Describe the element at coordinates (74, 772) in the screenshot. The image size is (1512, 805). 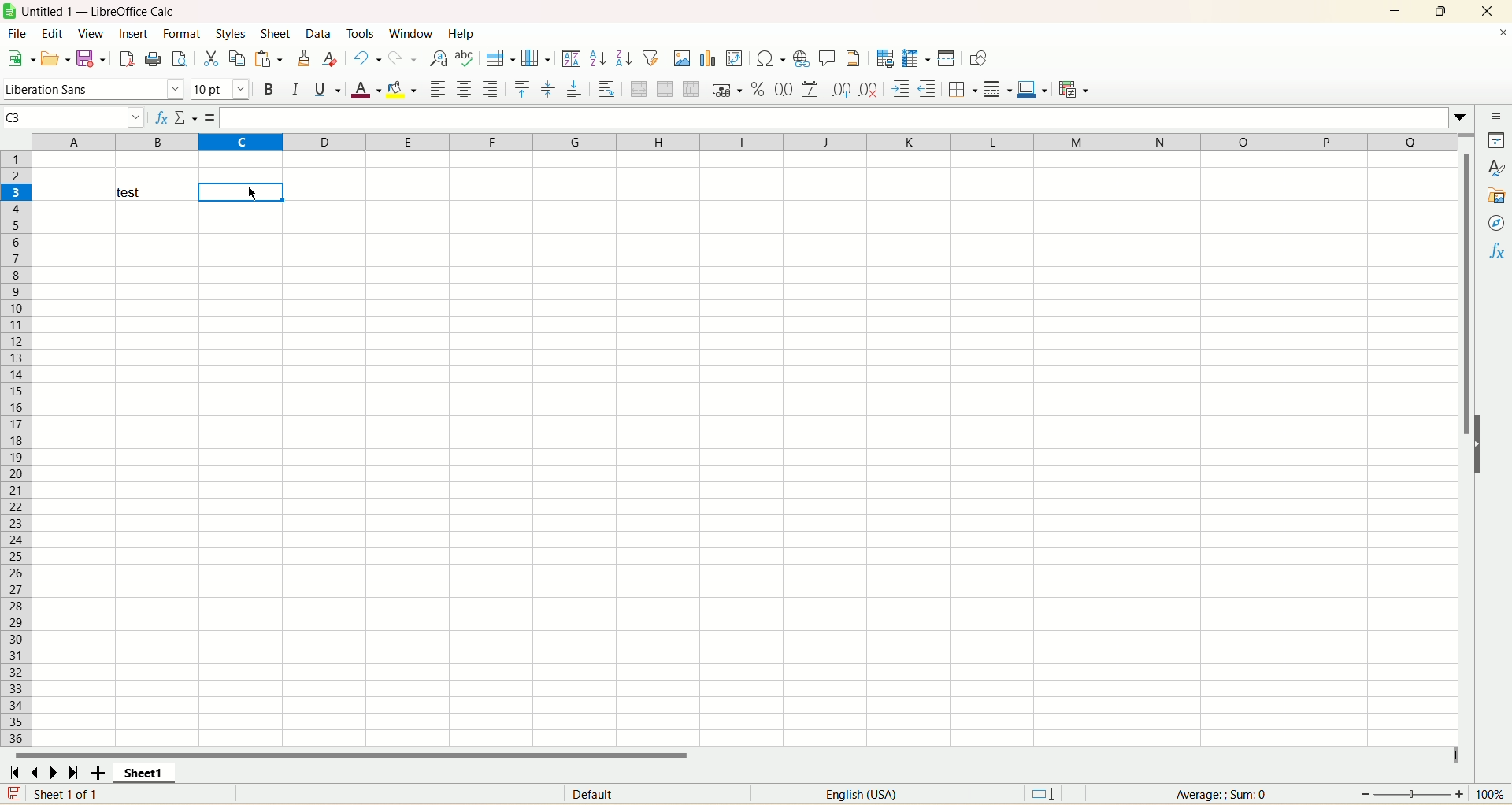
I see `last sheet` at that location.